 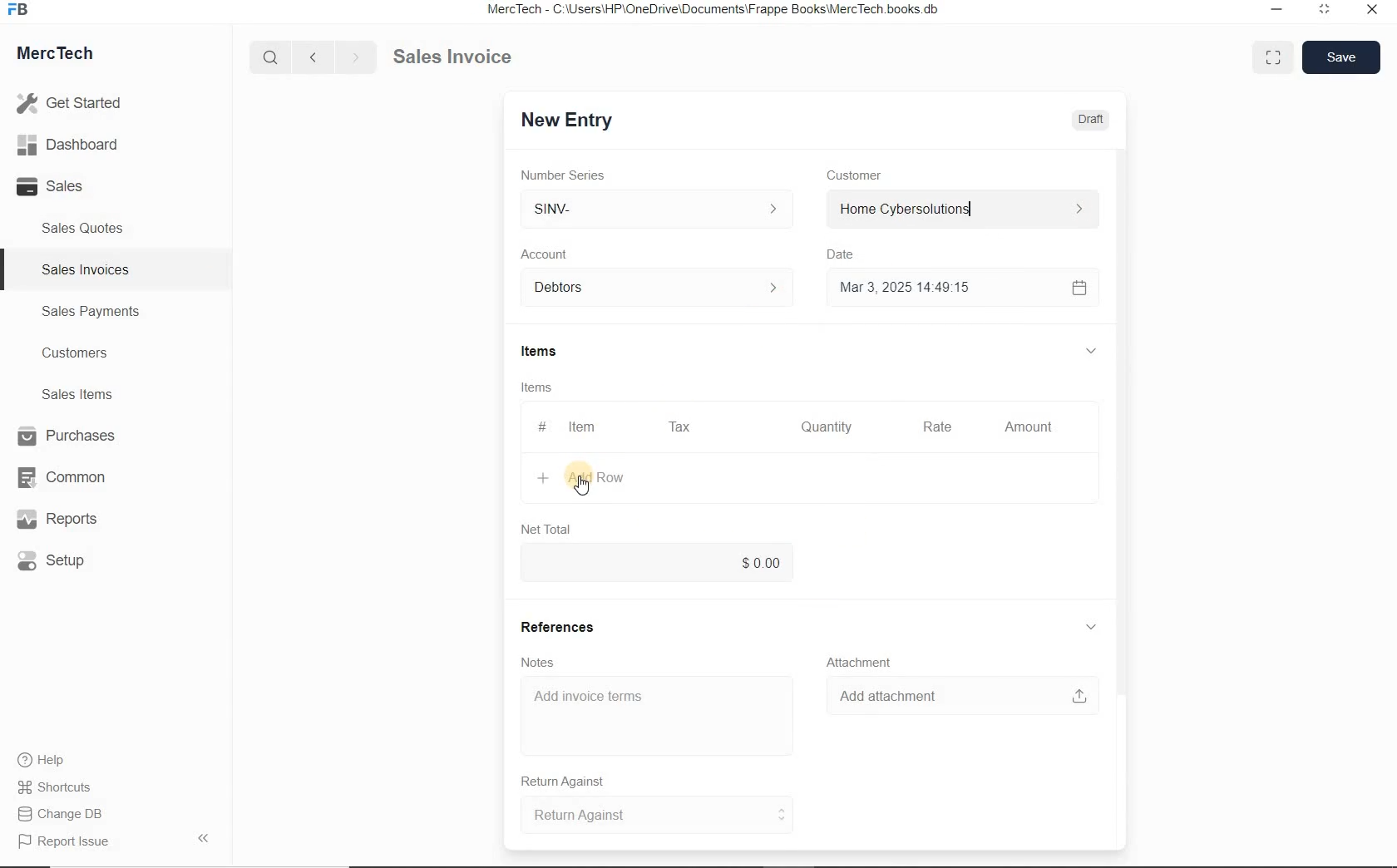 I want to click on Items, so click(x=539, y=389).